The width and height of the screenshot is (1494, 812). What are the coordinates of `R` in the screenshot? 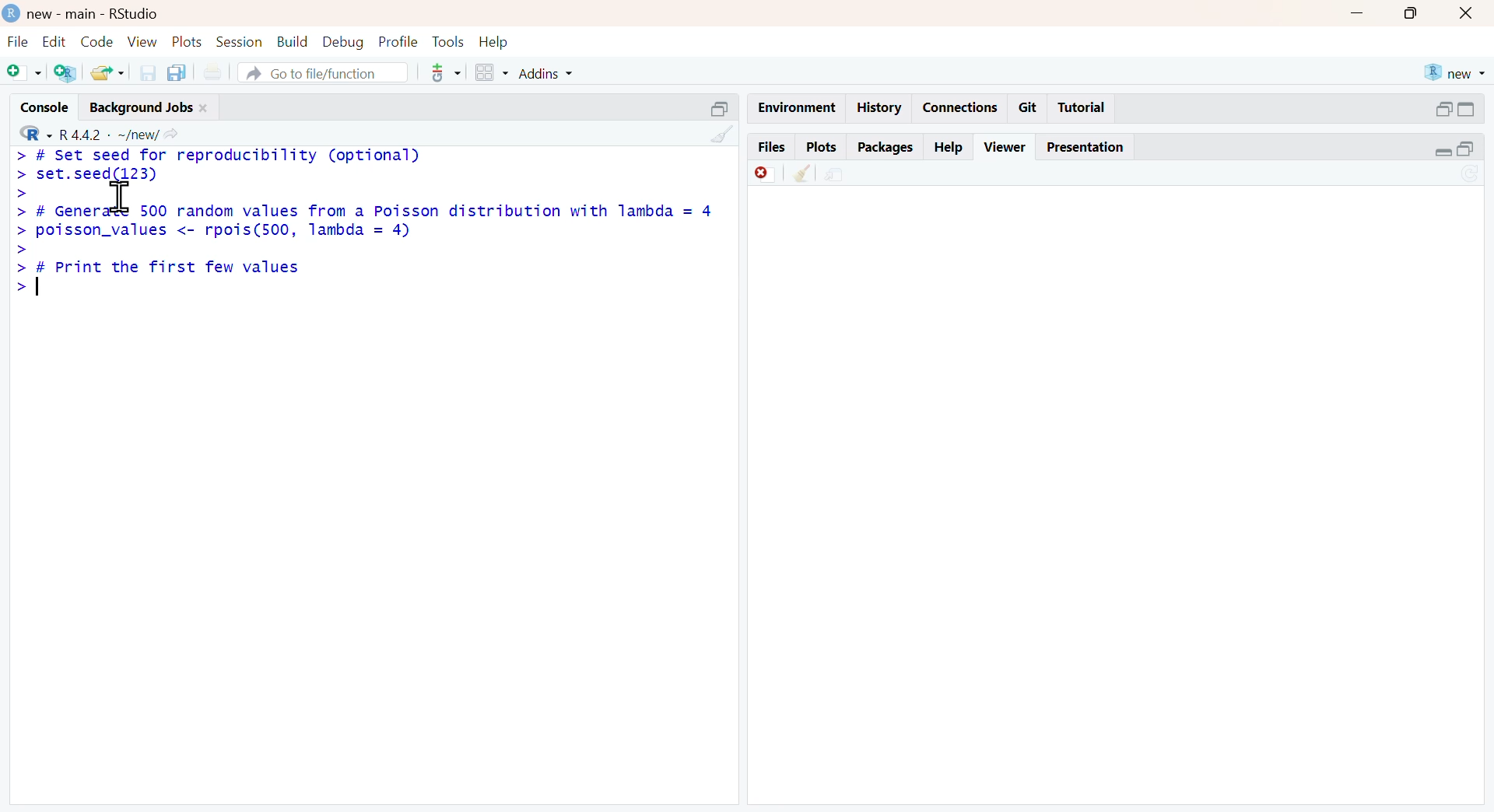 It's located at (37, 132).